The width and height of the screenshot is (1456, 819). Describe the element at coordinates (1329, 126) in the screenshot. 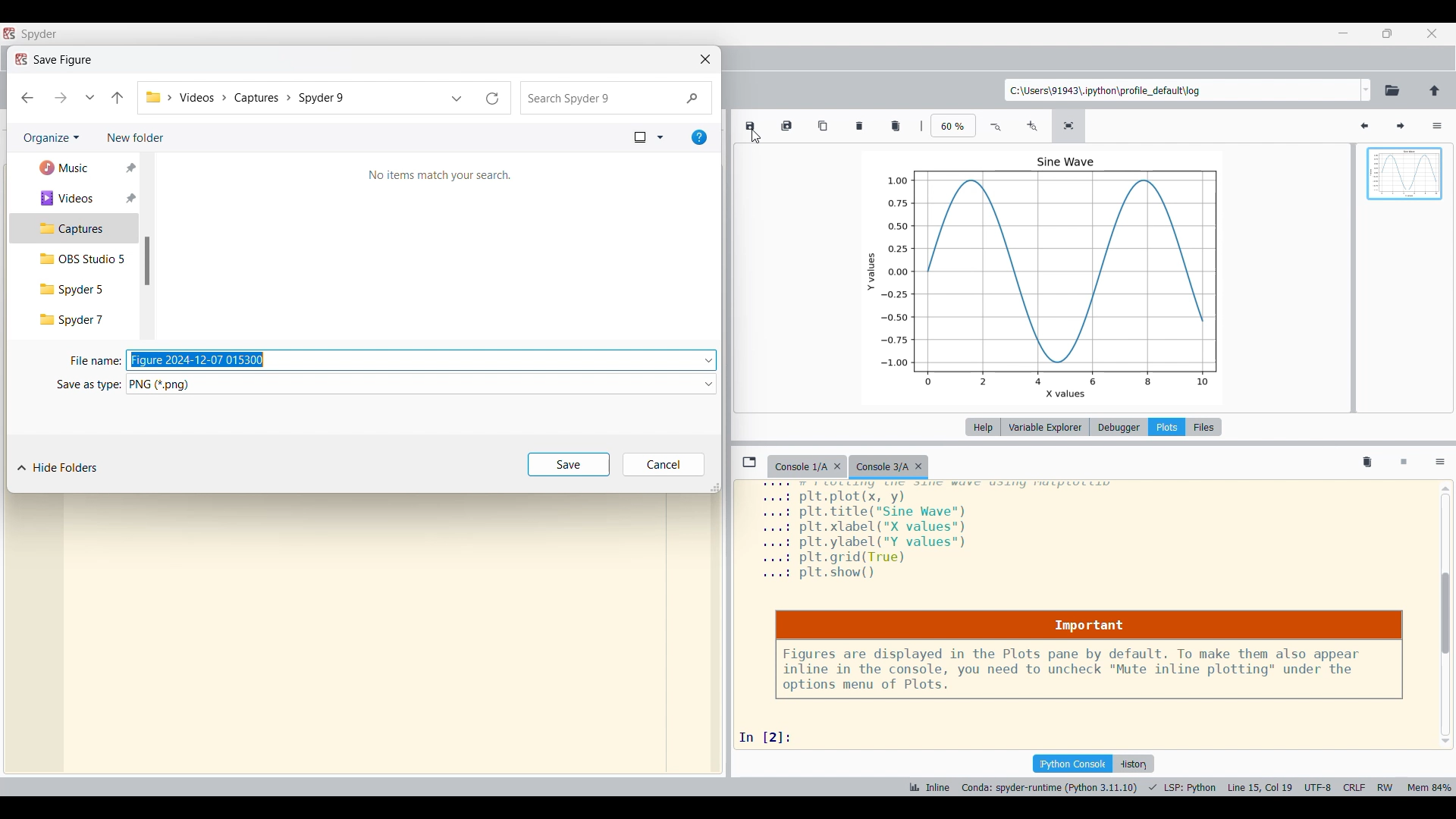

I see `Search variables by names and types` at that location.